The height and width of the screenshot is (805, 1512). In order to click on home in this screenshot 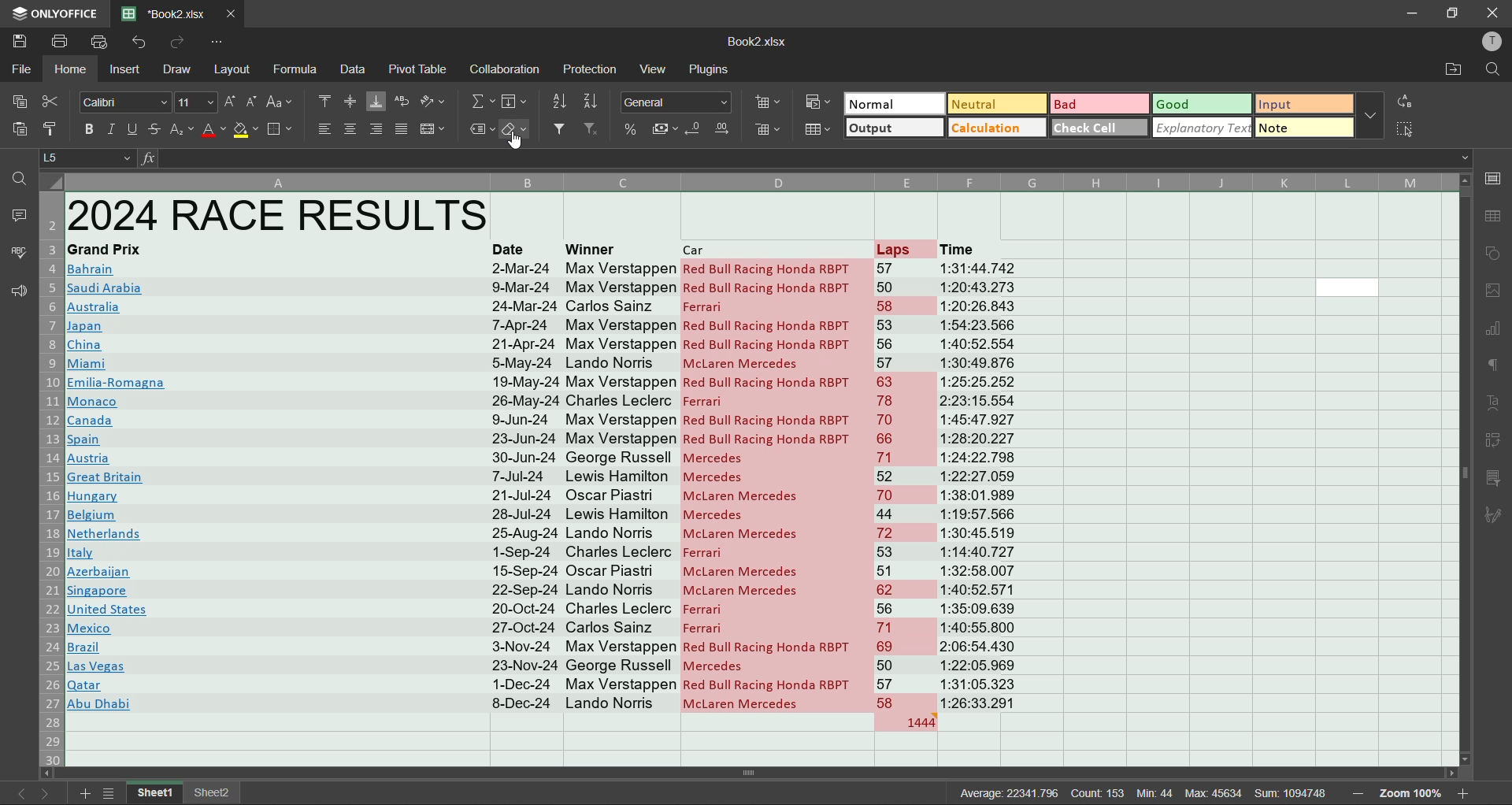, I will do `click(75, 72)`.